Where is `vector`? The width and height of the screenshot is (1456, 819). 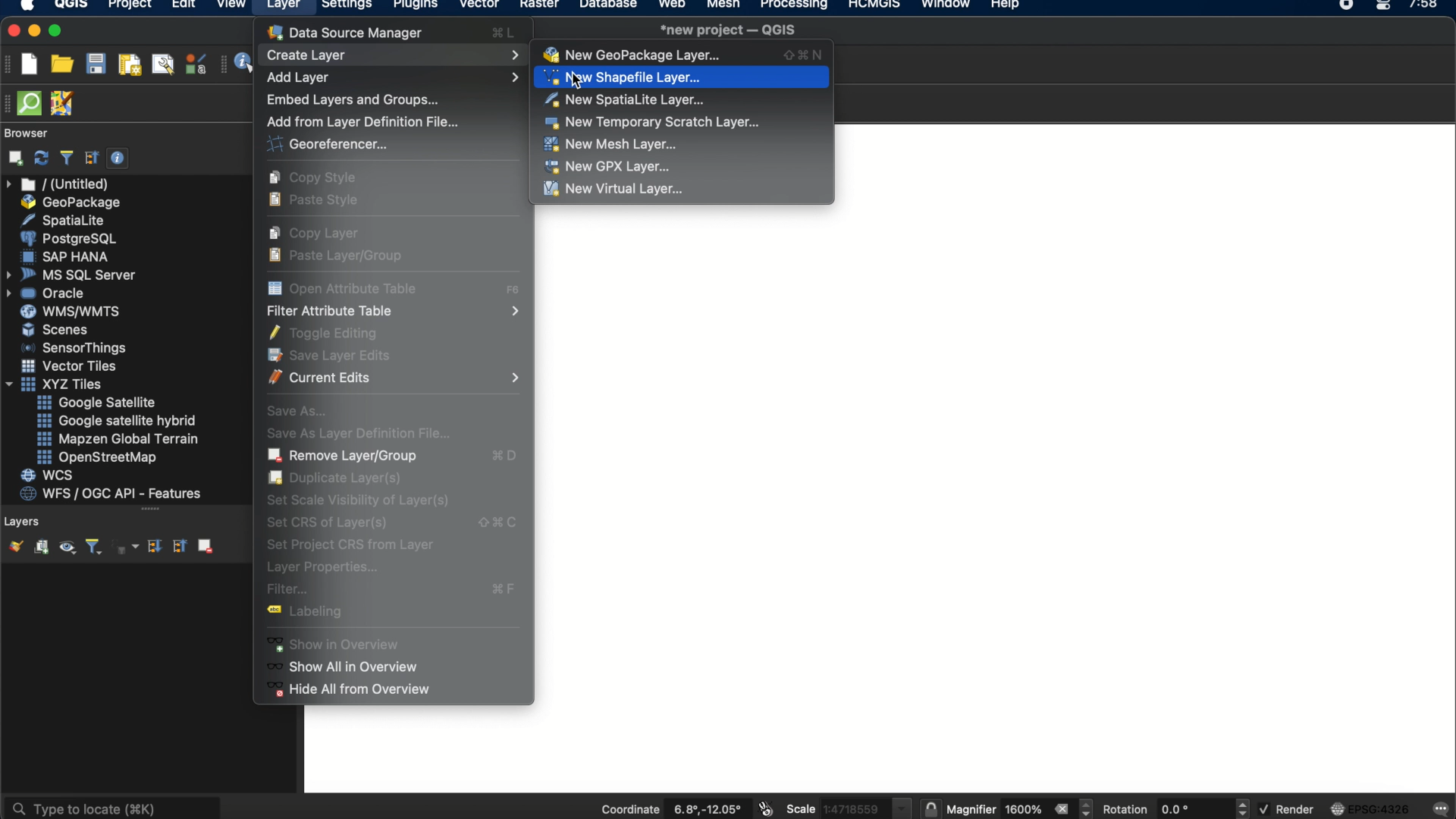
vector is located at coordinates (480, 6).